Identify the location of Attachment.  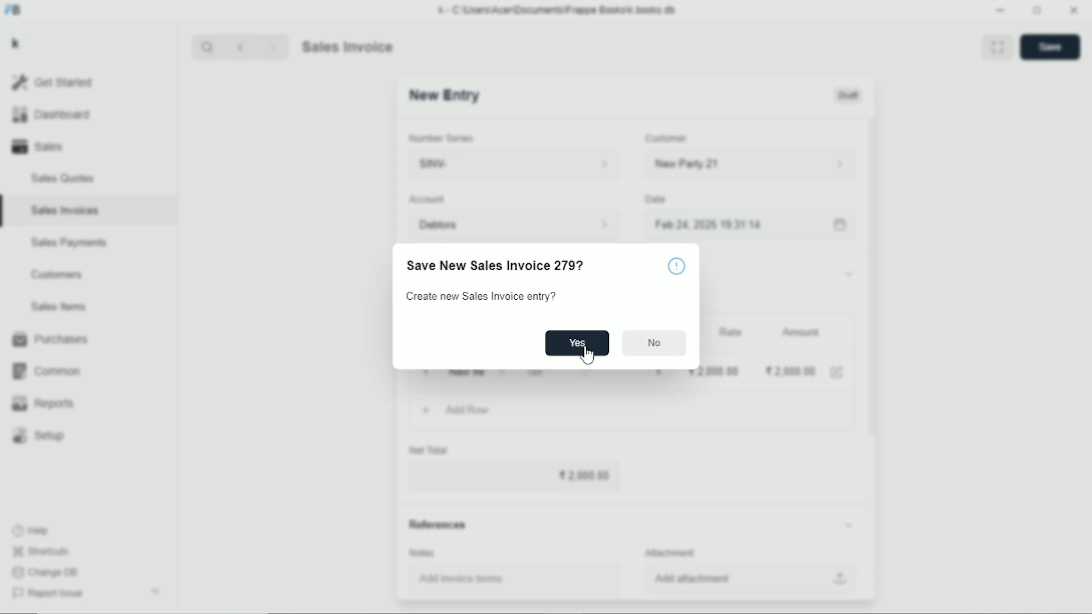
(670, 553).